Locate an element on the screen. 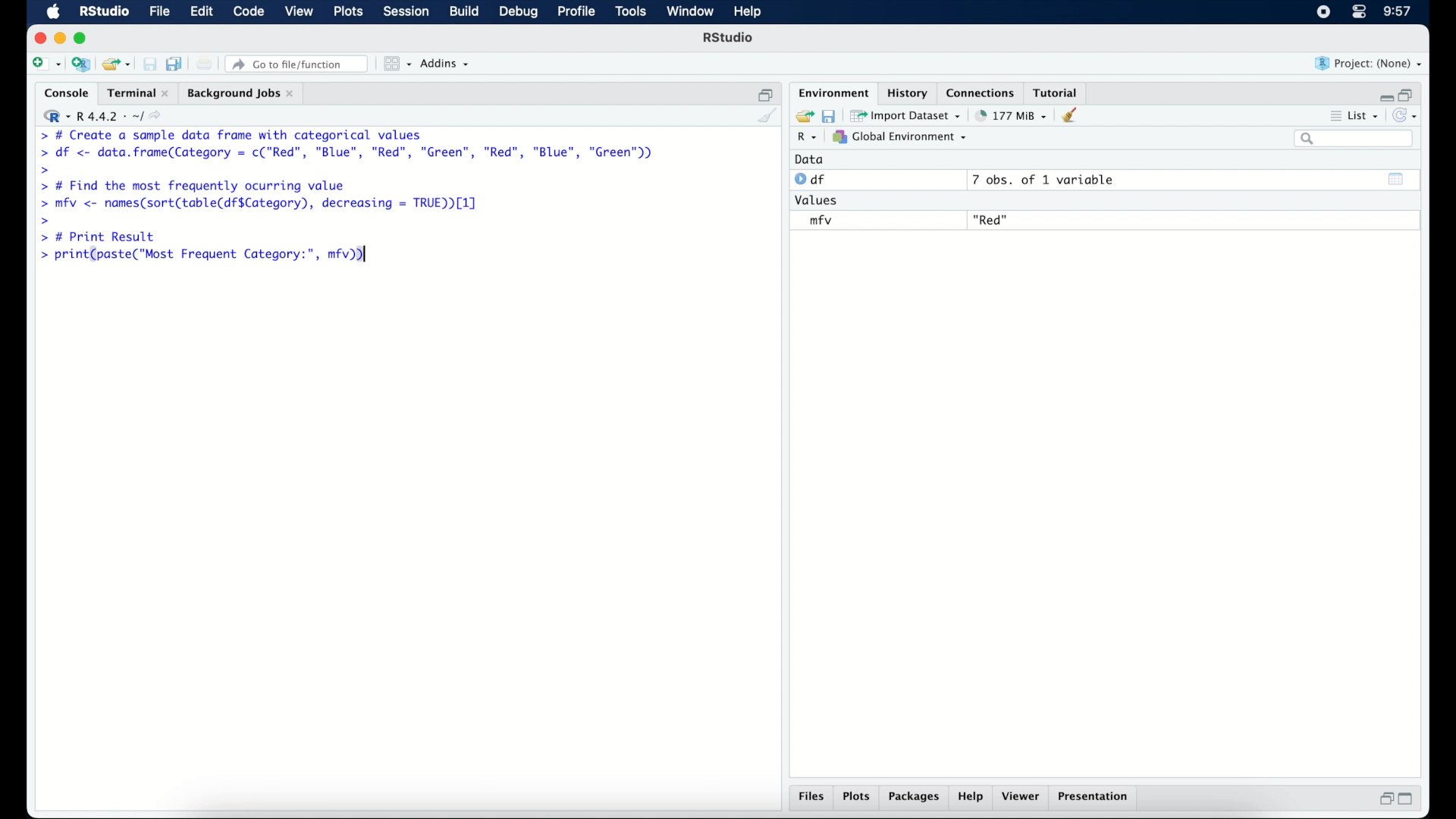 Image resolution: width=1456 pixels, height=819 pixels. code is located at coordinates (249, 12).